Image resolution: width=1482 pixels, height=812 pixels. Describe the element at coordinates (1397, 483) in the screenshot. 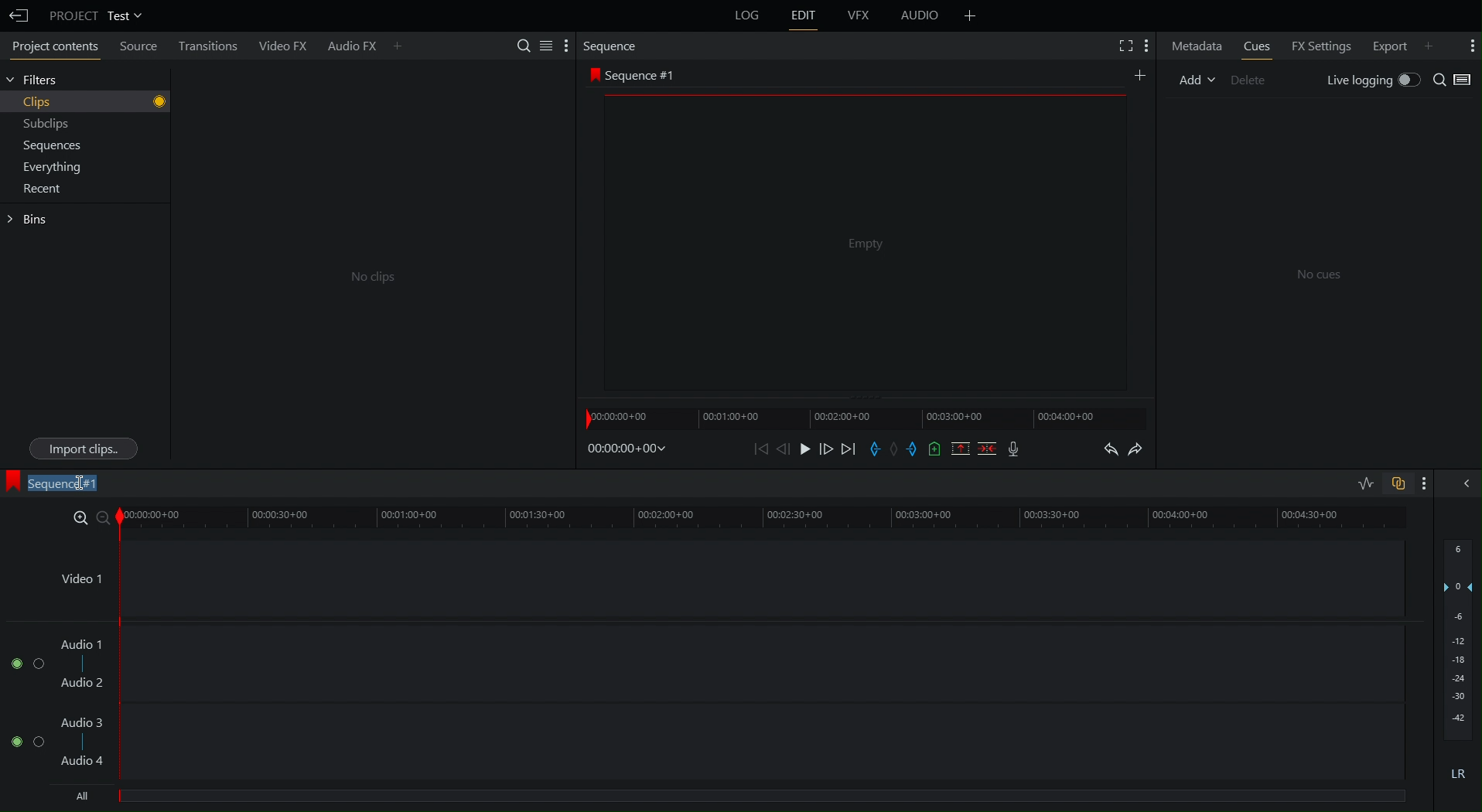

I see `Toggle auto track sync` at that location.